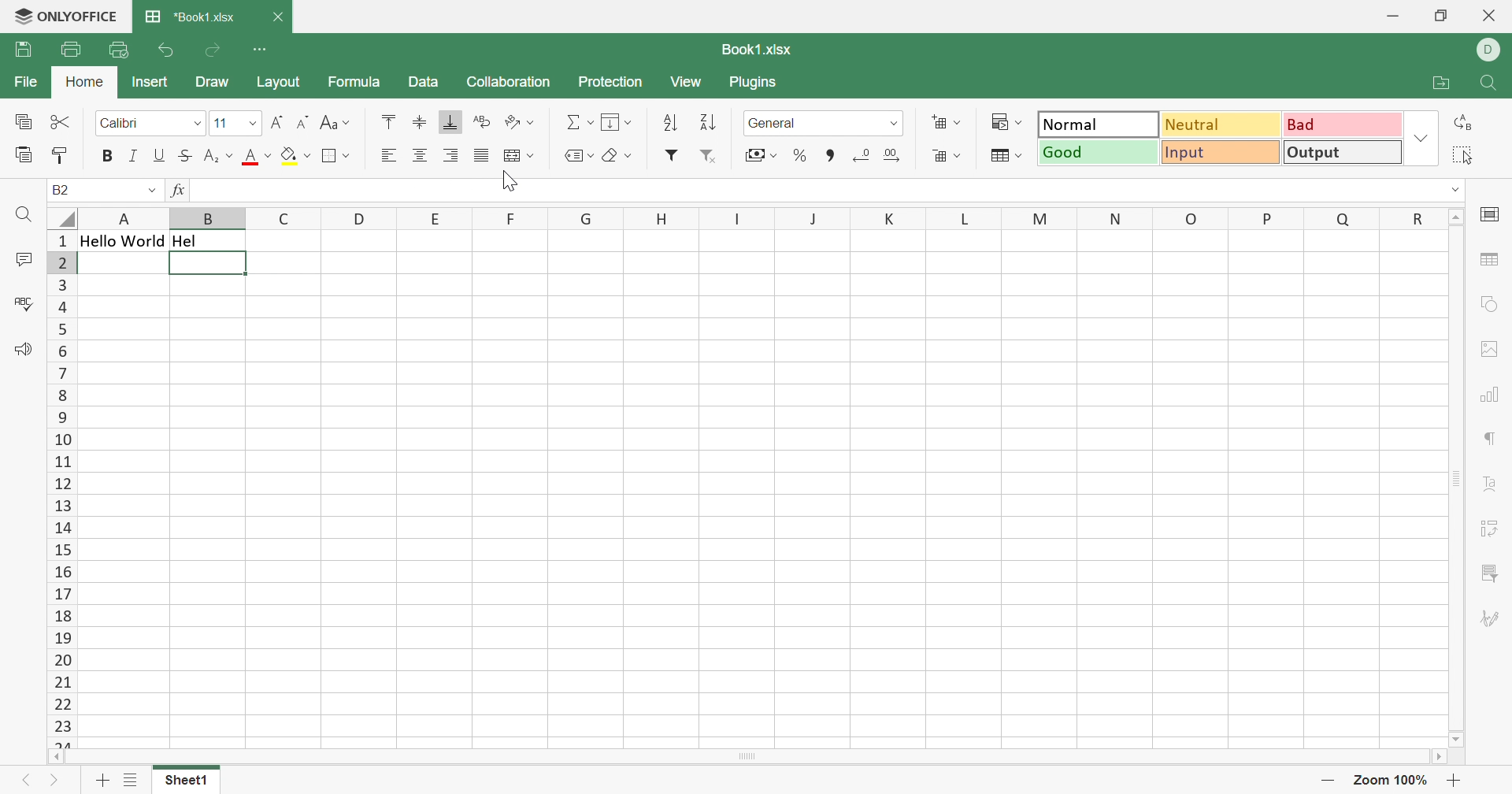  Describe the element at coordinates (829, 158) in the screenshot. I see `Comma style` at that location.